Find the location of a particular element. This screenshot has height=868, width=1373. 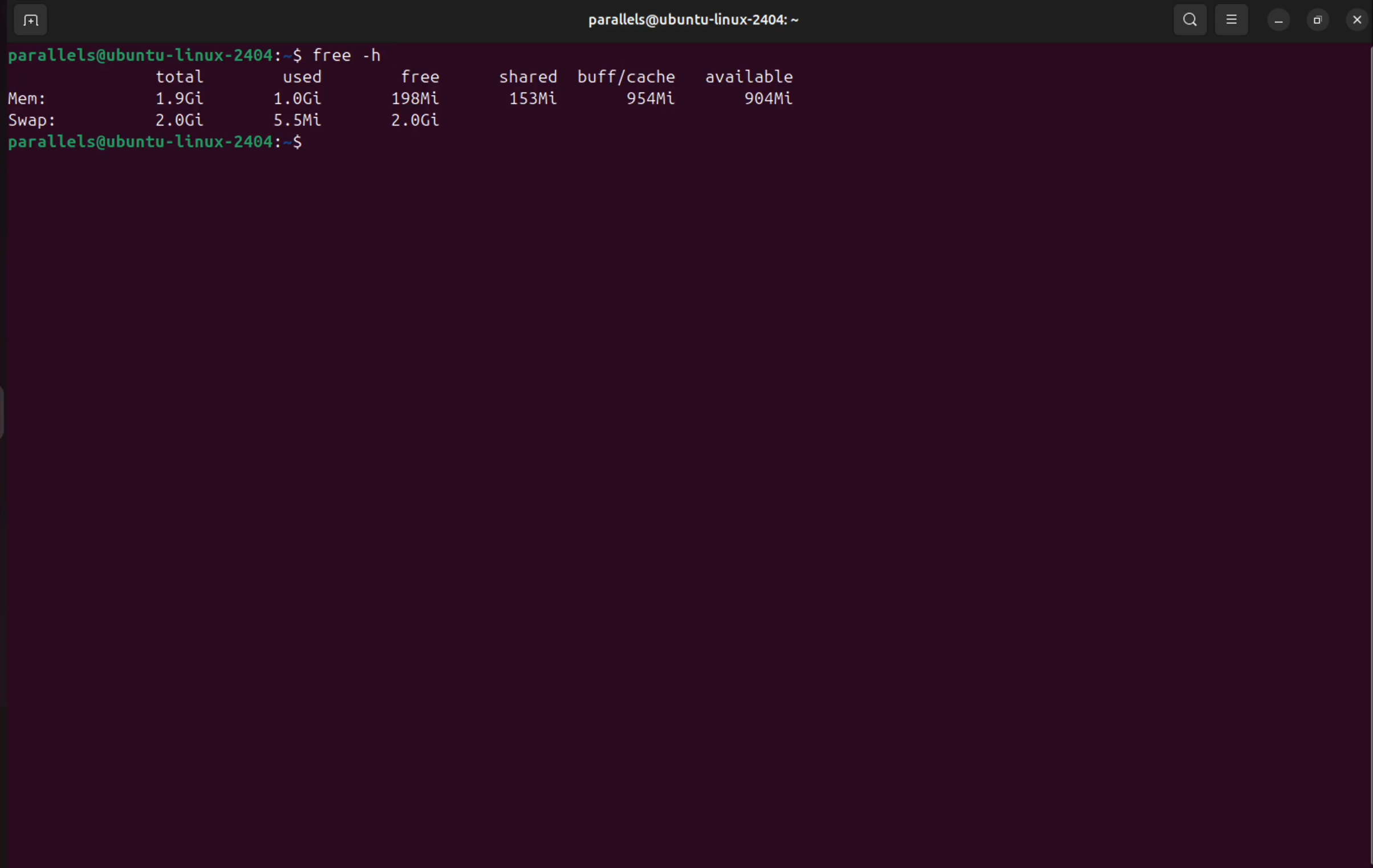

parallels@ubuntu-linux-2404: ~ is located at coordinates (698, 21).